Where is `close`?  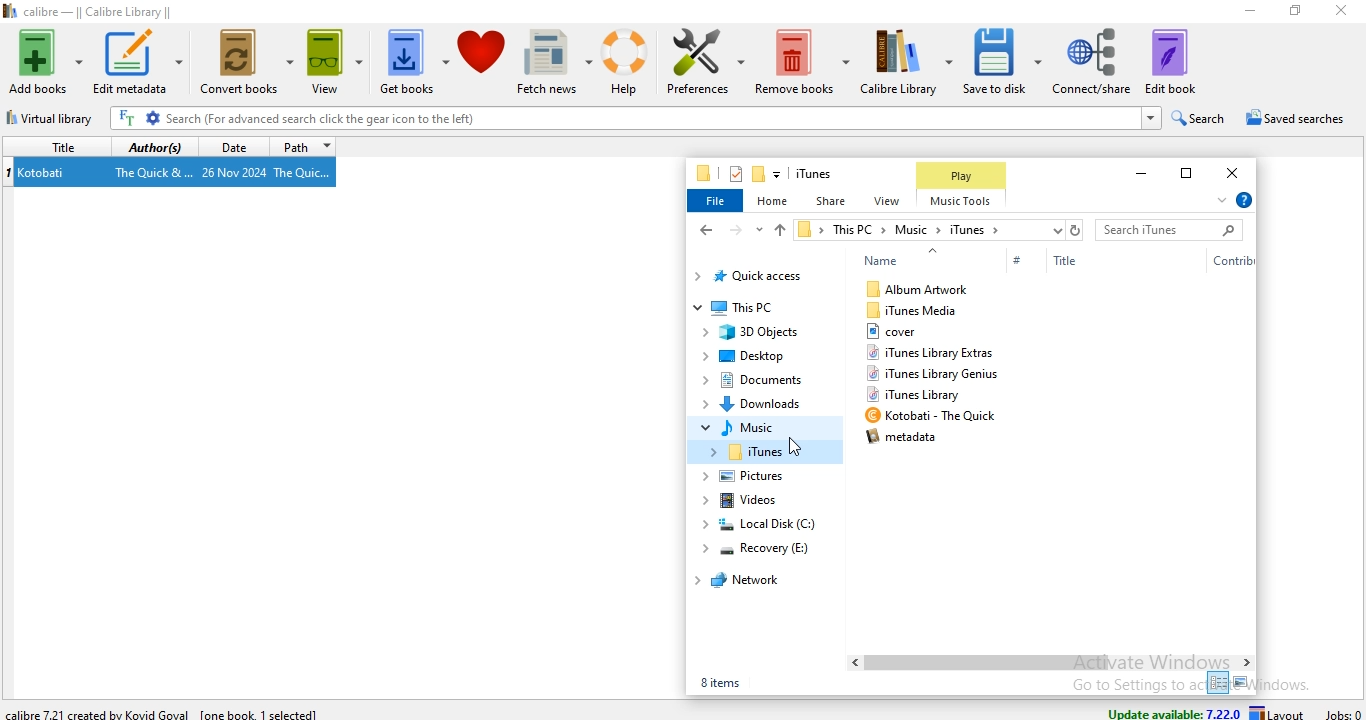 close is located at coordinates (1235, 170).